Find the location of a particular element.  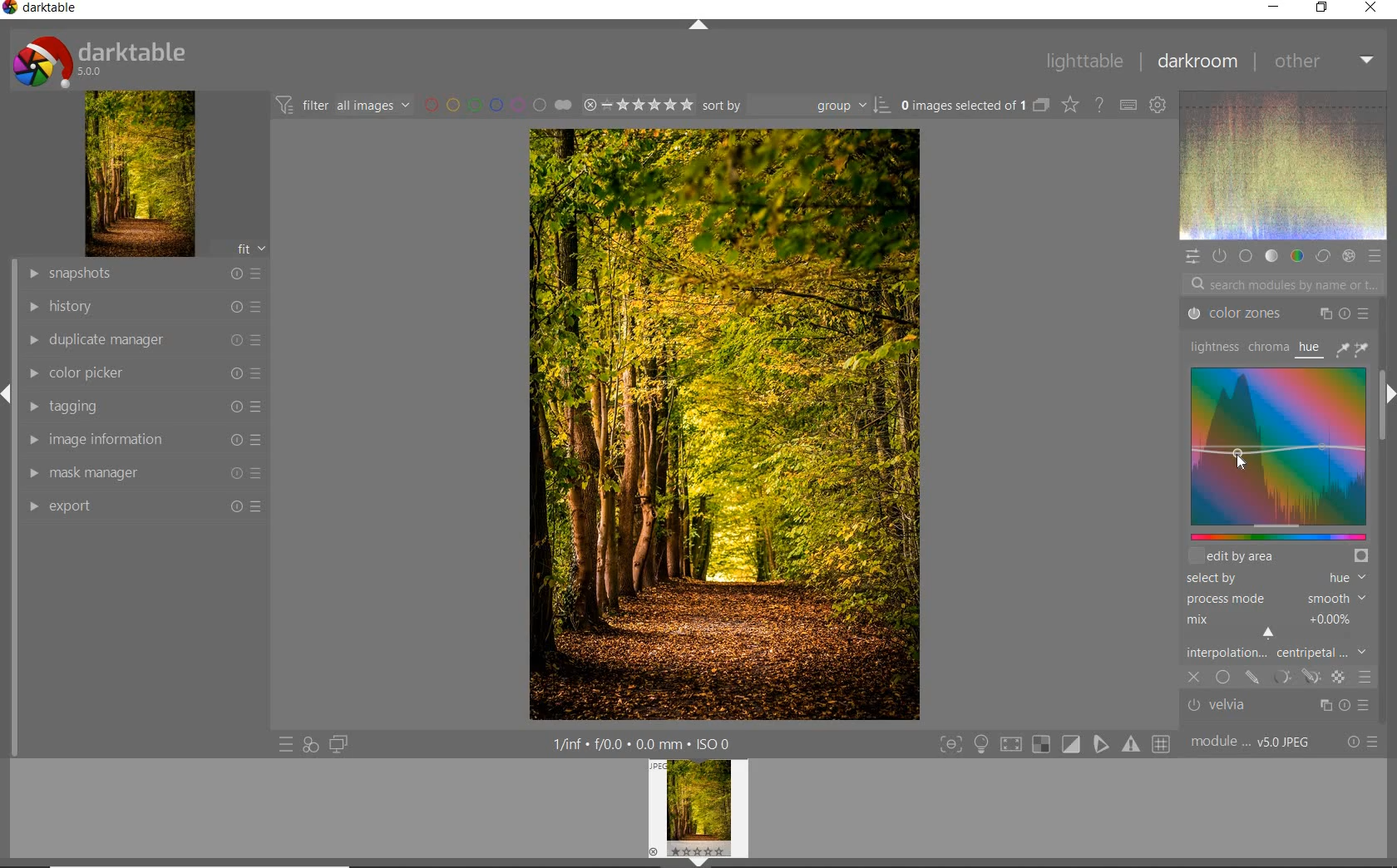

cursor position is located at coordinates (1238, 457).